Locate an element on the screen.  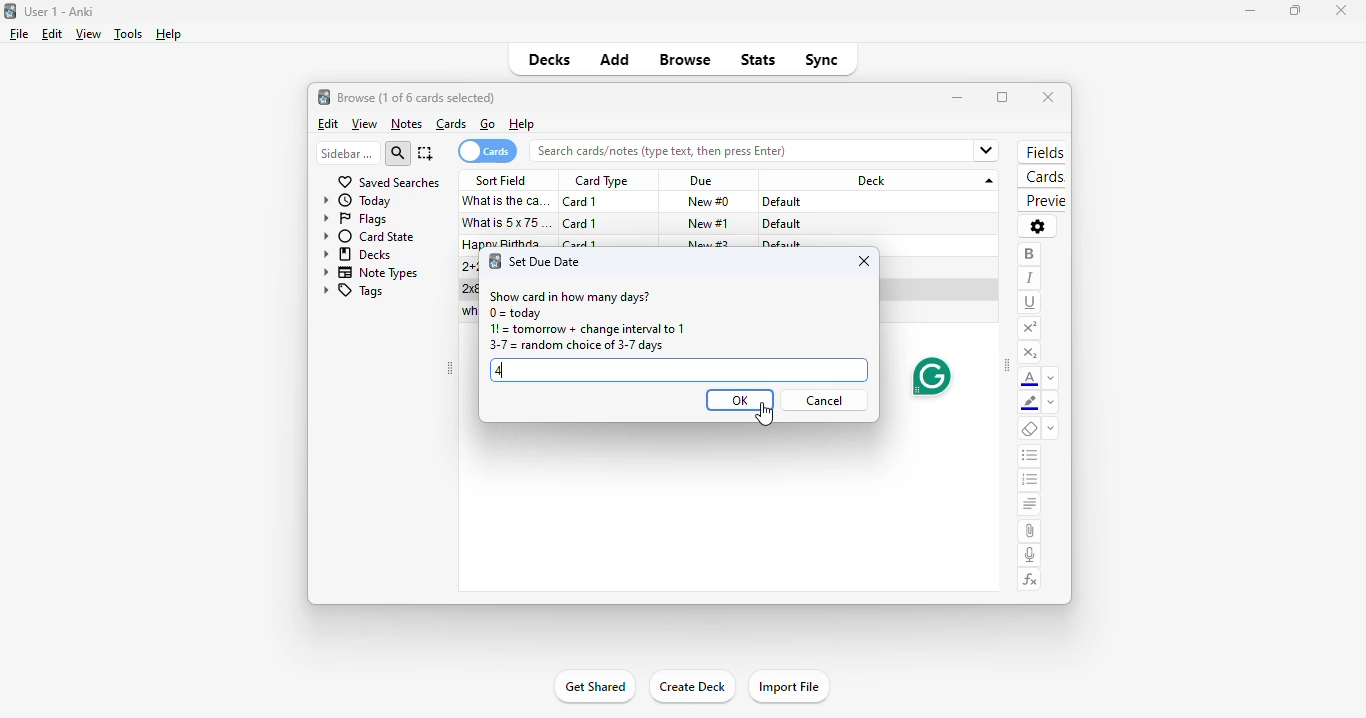
preview is located at coordinates (1042, 201).